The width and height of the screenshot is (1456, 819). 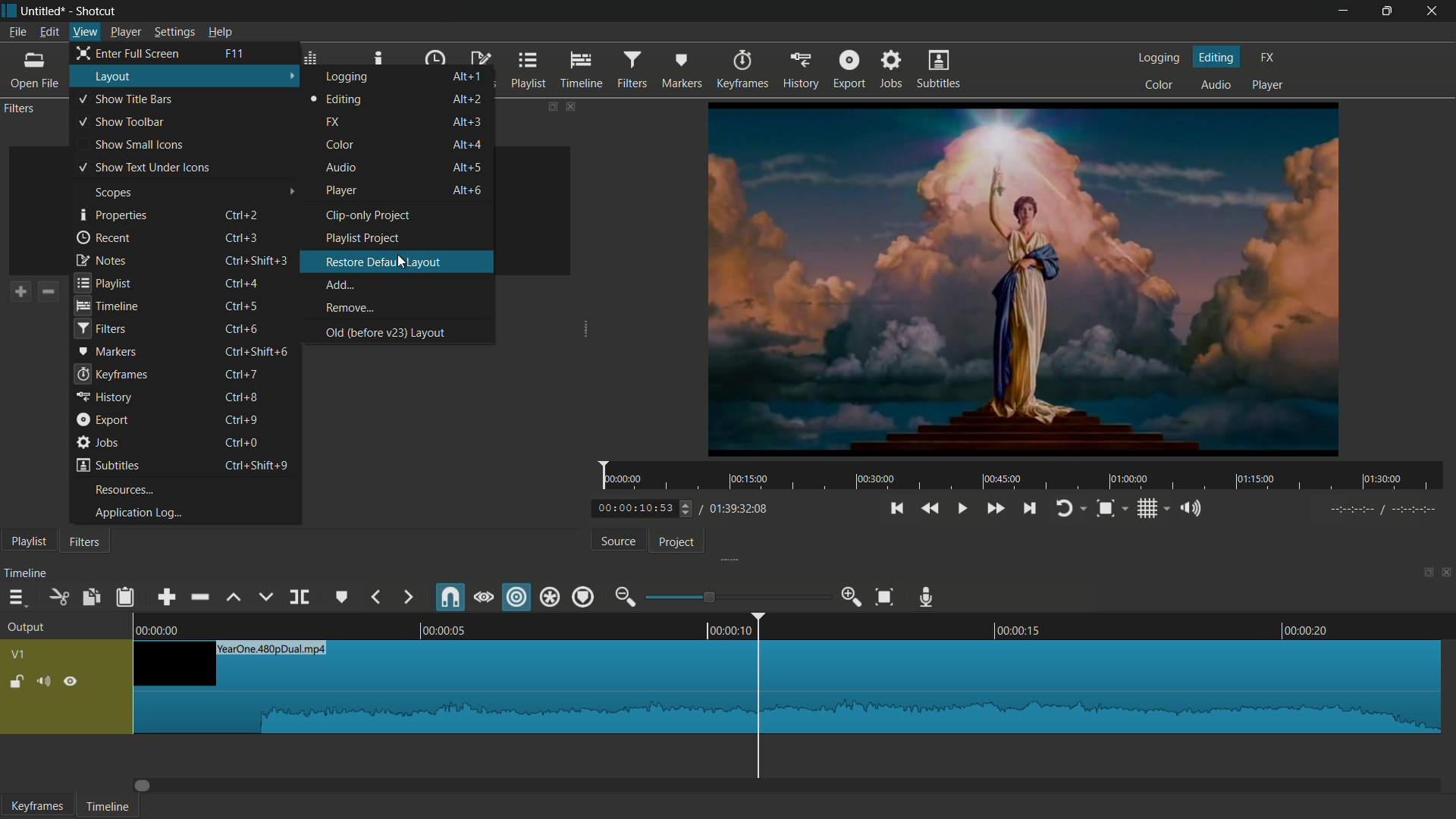 What do you see at coordinates (1030, 510) in the screenshot?
I see `skip to the next point` at bounding box center [1030, 510].